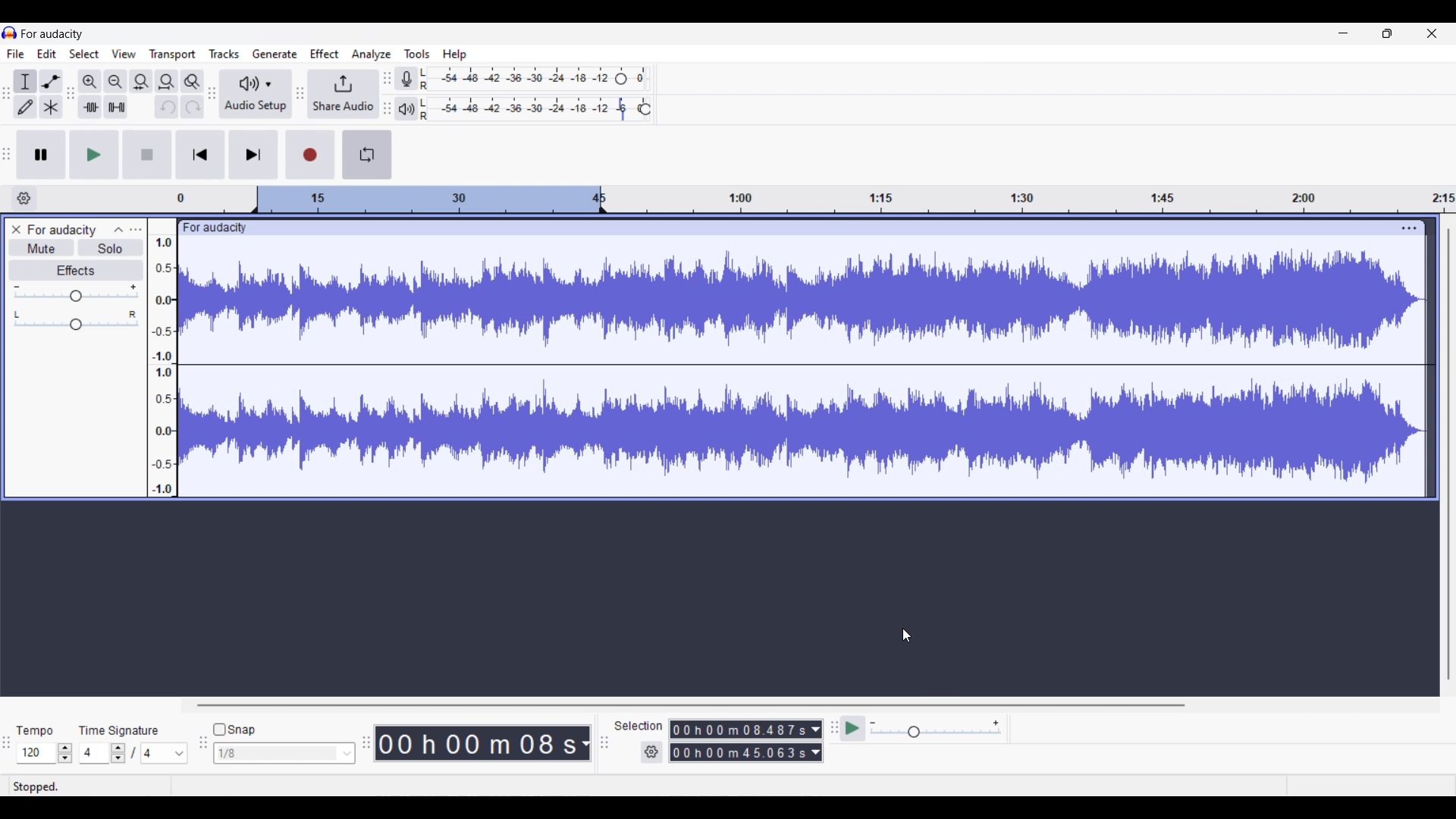  Describe the element at coordinates (167, 107) in the screenshot. I see `Undo` at that location.